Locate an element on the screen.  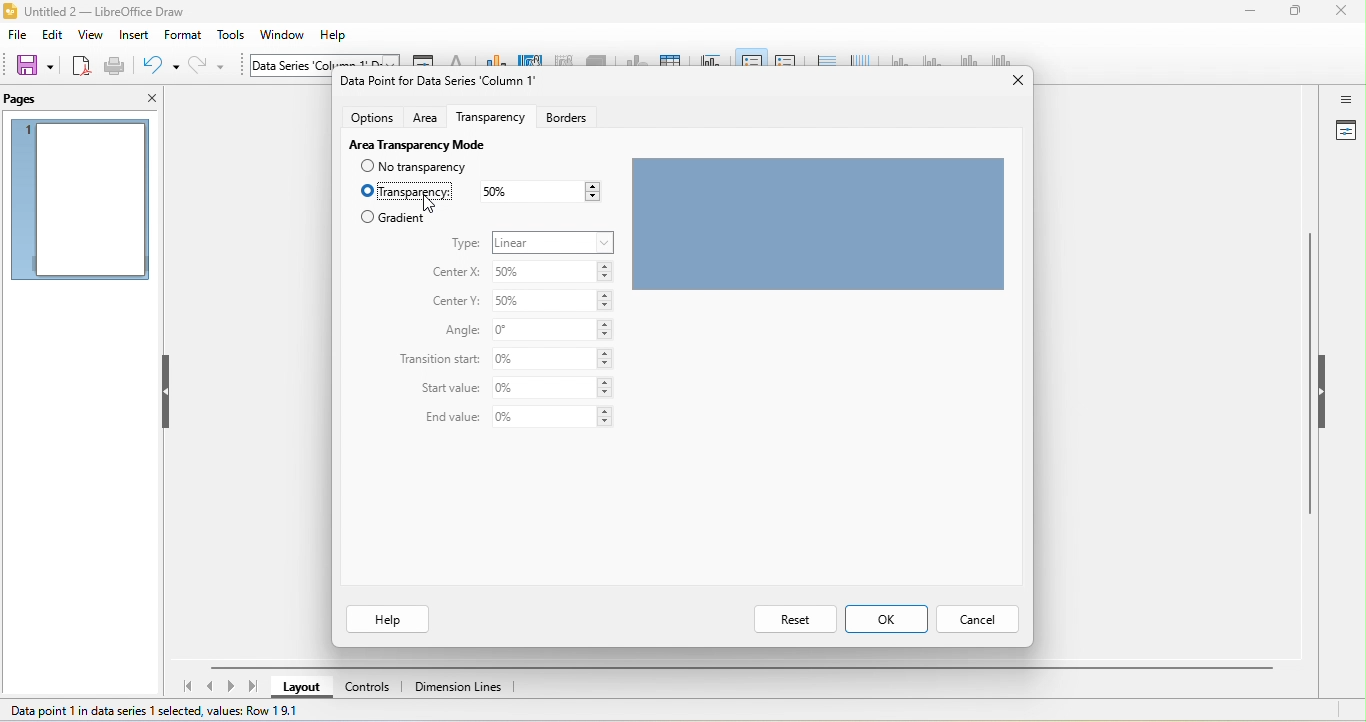
cancel is located at coordinates (982, 620).